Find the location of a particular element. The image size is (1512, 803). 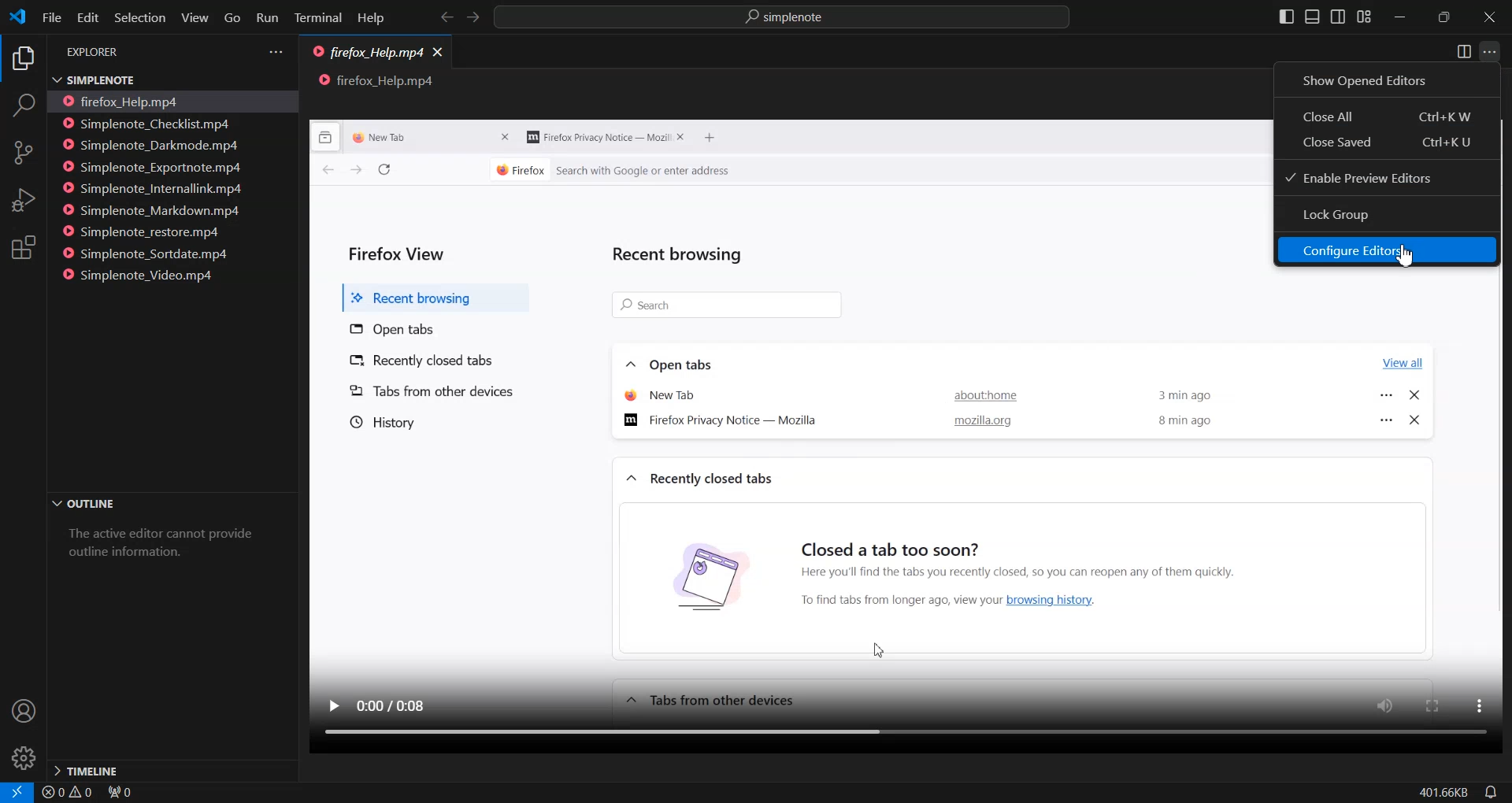

mozilla.org is located at coordinates (982, 423).